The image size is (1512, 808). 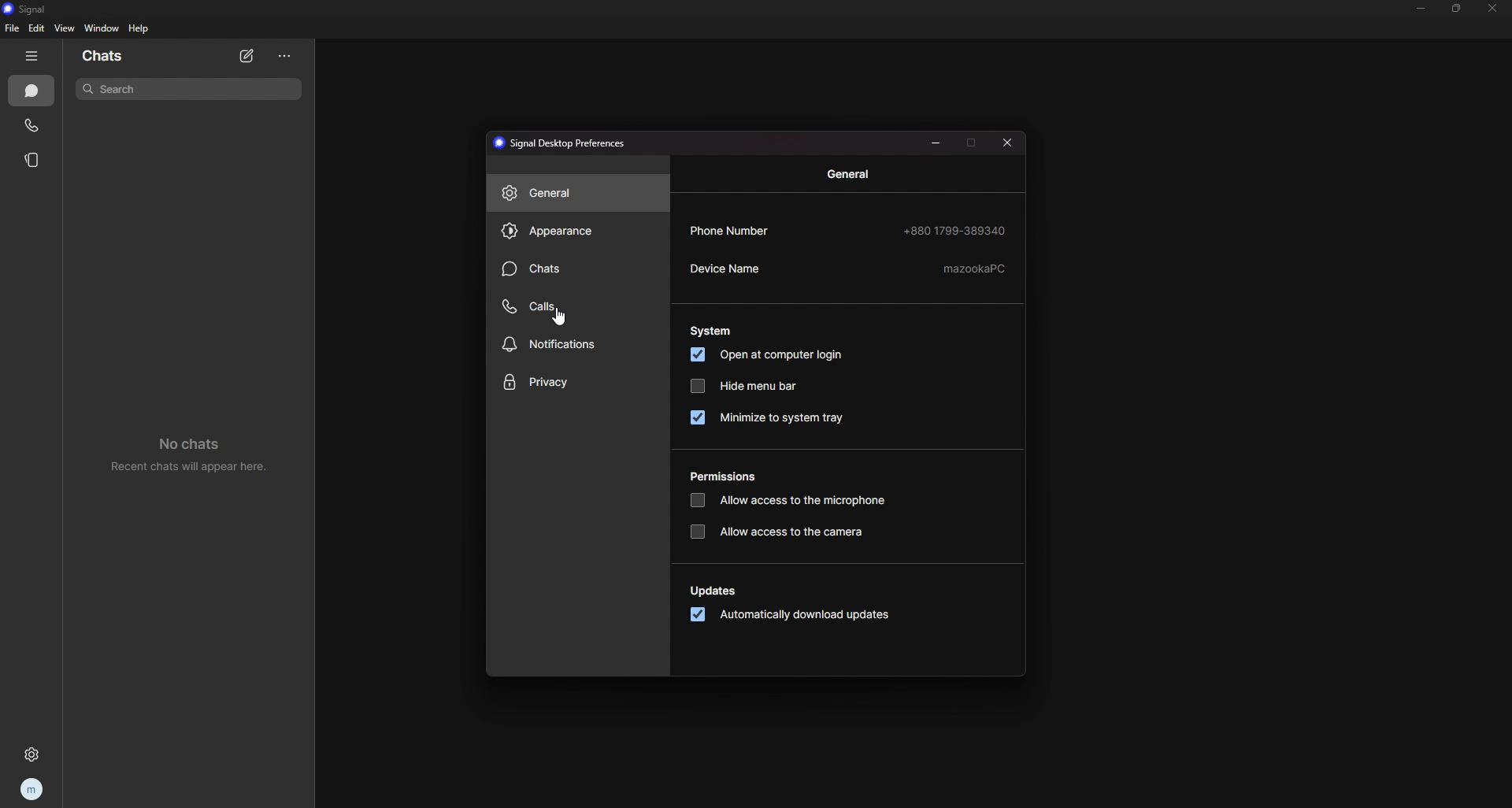 What do you see at coordinates (739, 229) in the screenshot?
I see `phone number` at bounding box center [739, 229].